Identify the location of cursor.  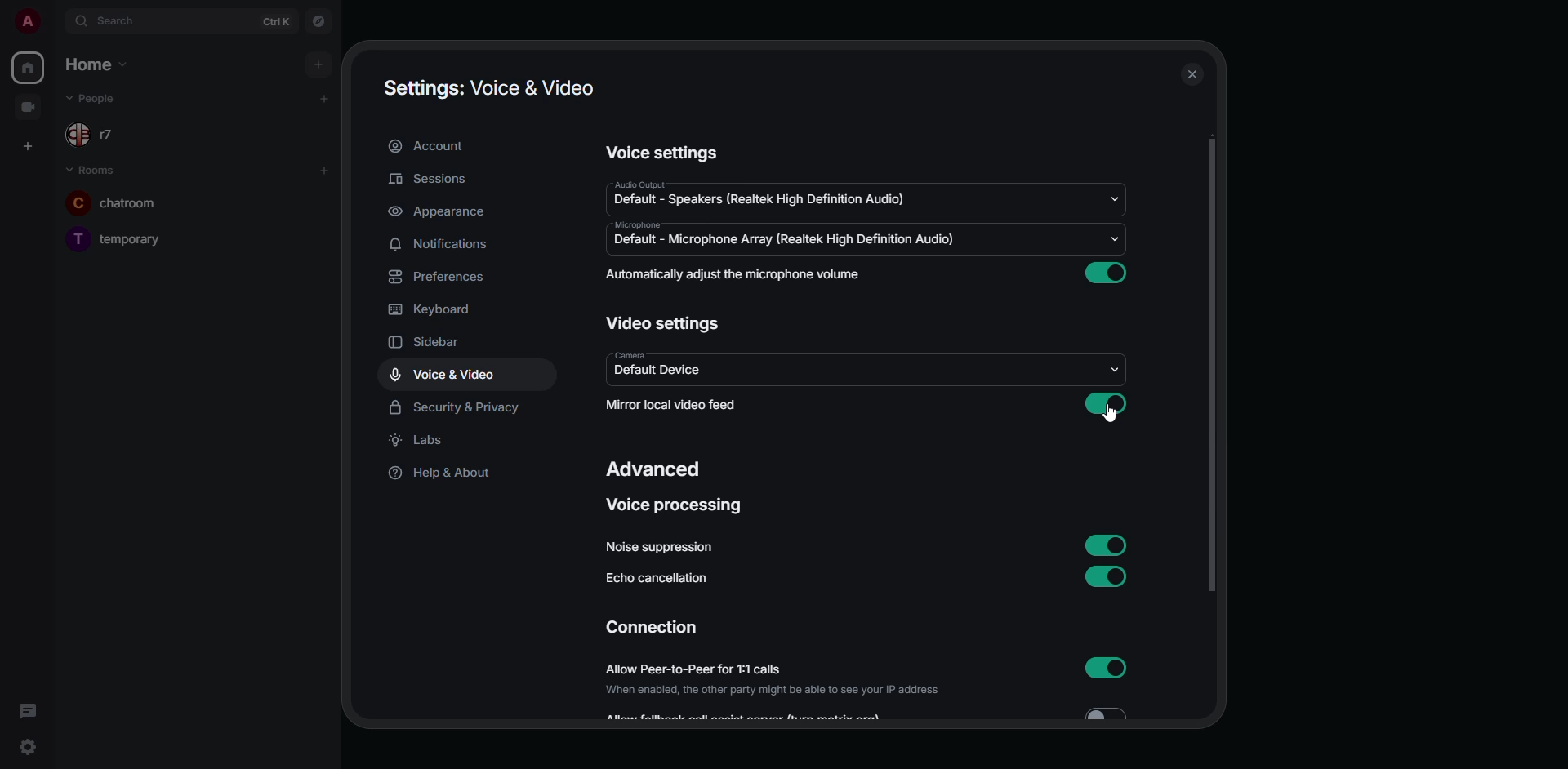
(1114, 417).